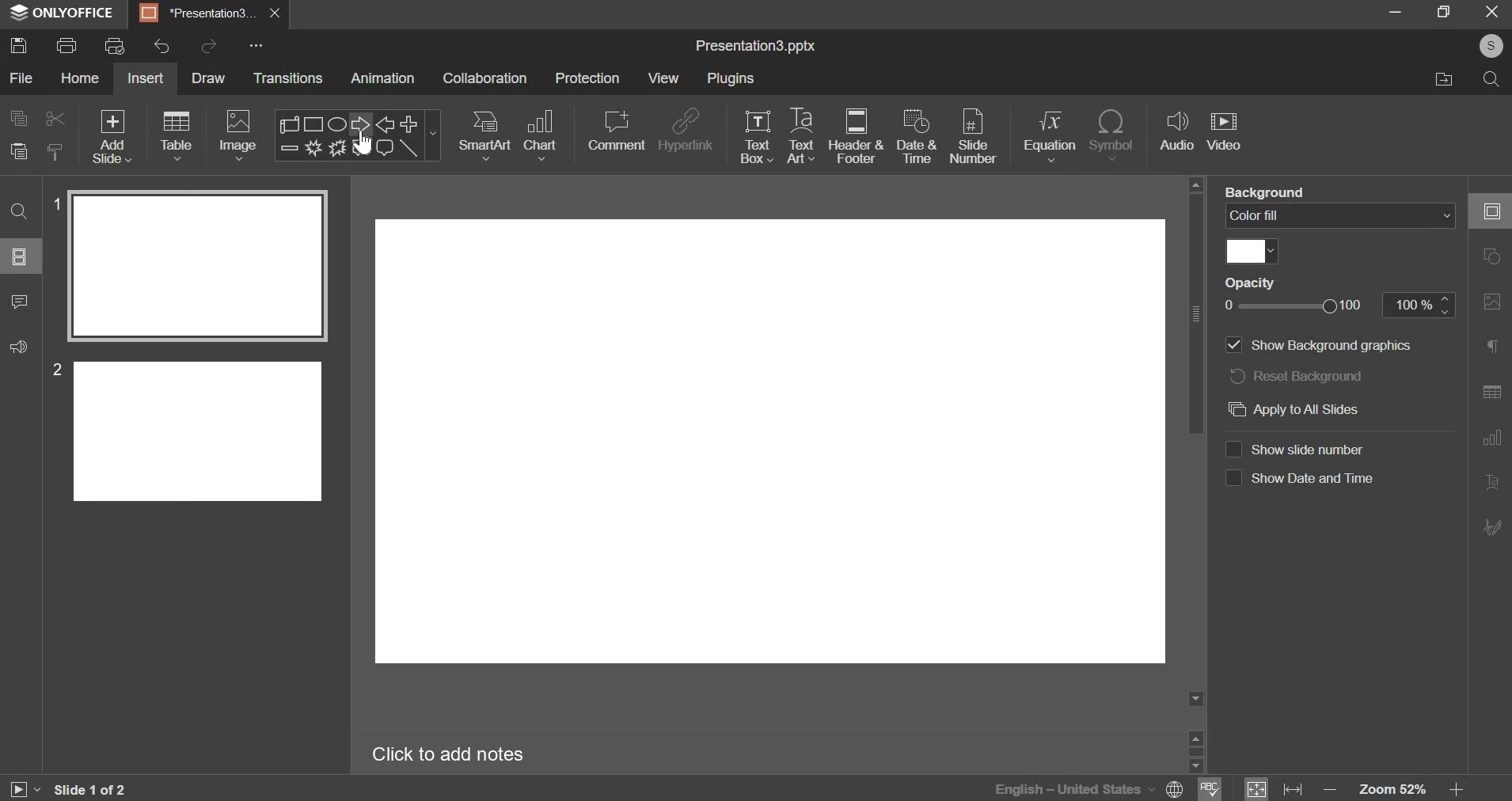  What do you see at coordinates (663, 79) in the screenshot?
I see `view` at bounding box center [663, 79].